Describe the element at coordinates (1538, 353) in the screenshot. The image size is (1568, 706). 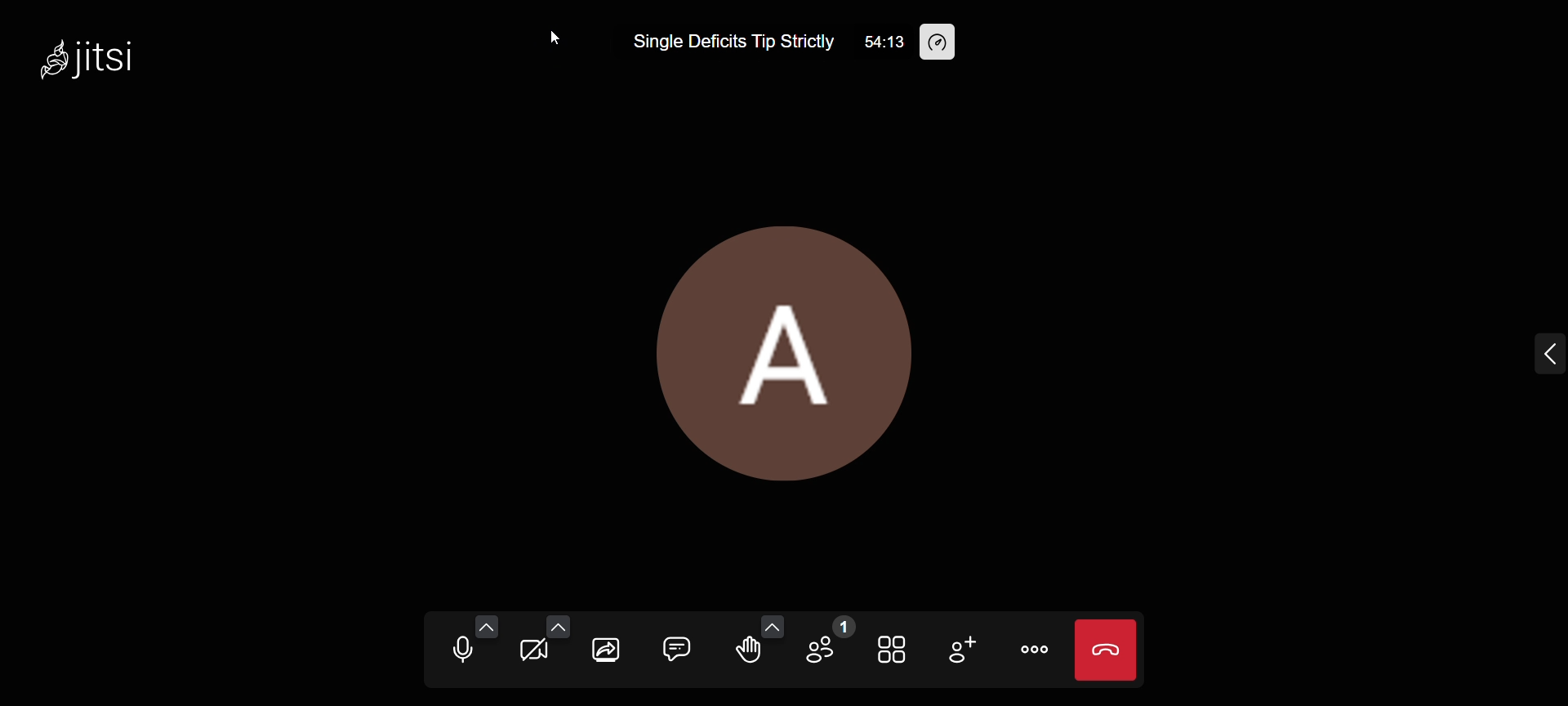
I see `expand` at that location.